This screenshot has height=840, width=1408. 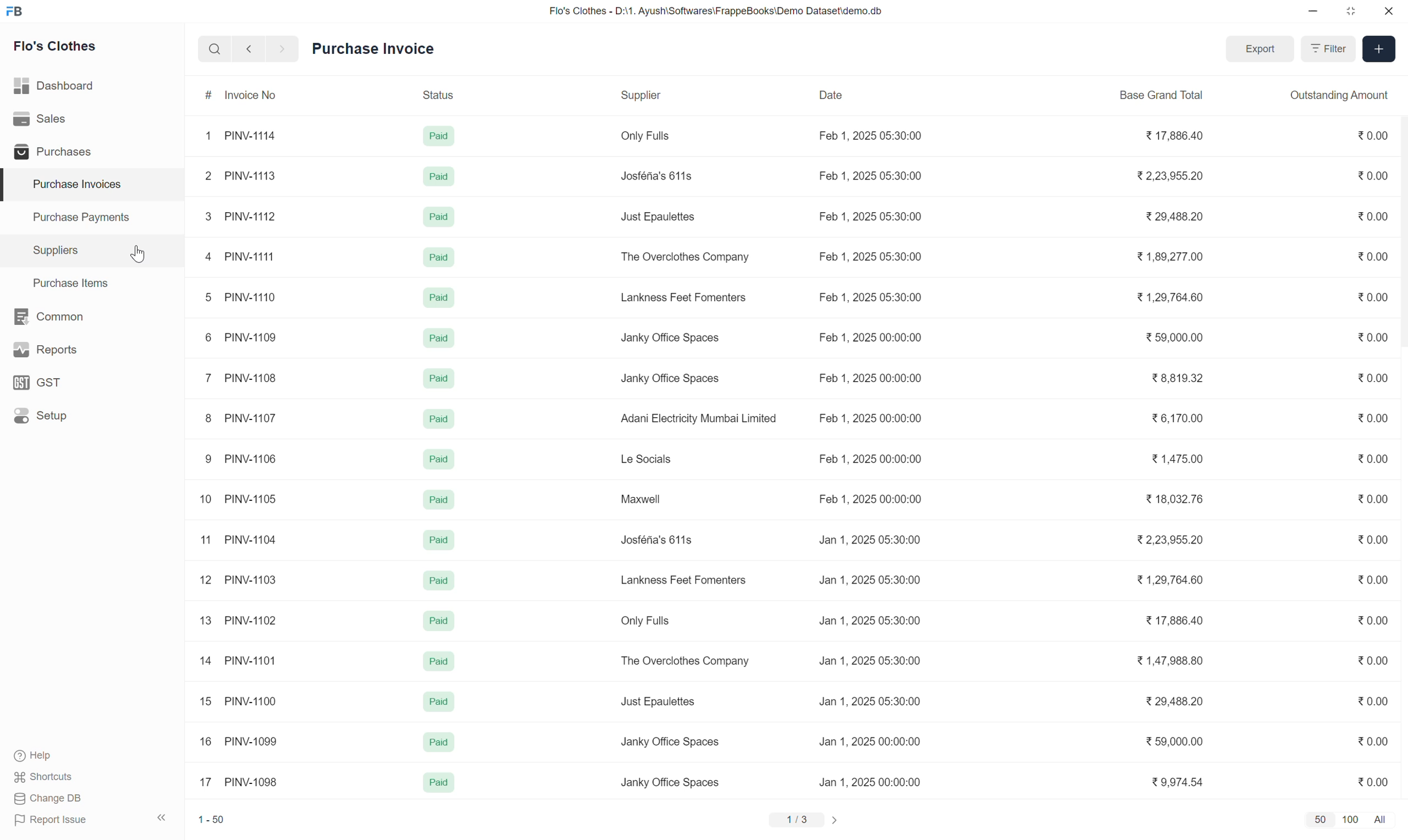 What do you see at coordinates (1373, 660) in the screenshot?
I see `0.00` at bounding box center [1373, 660].